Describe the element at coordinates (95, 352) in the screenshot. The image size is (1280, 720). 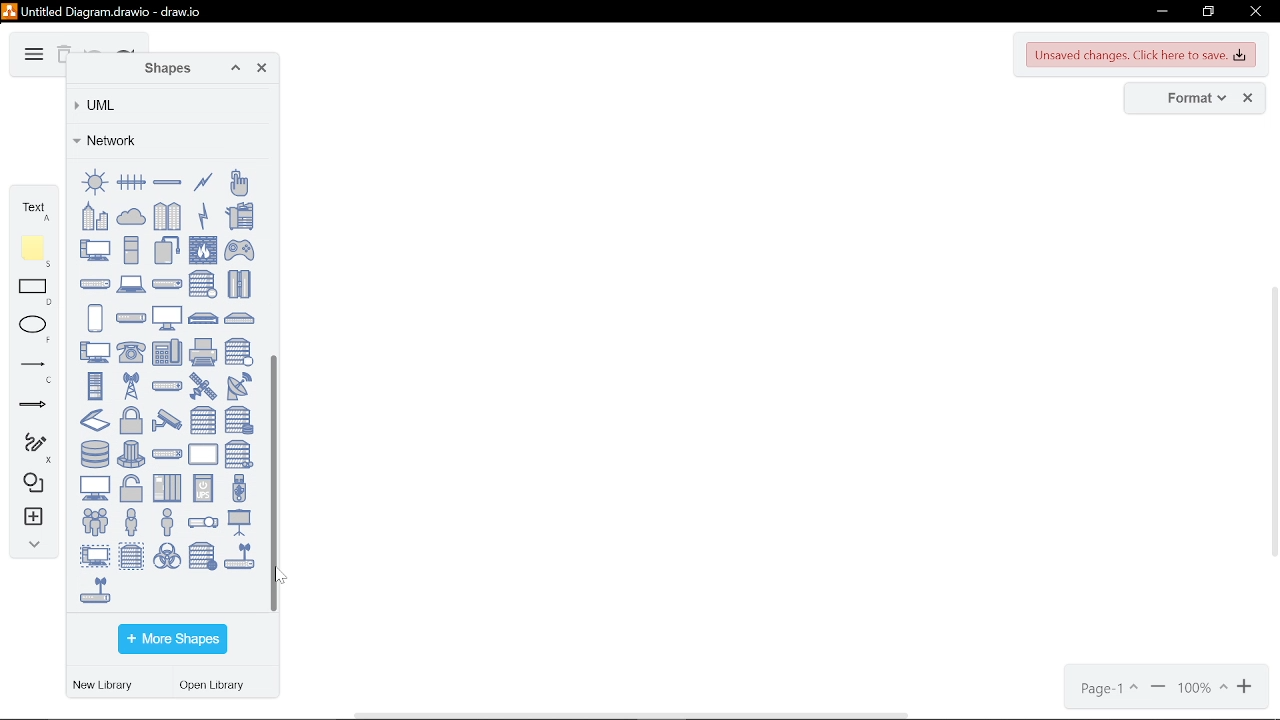
I see `PC` at that location.